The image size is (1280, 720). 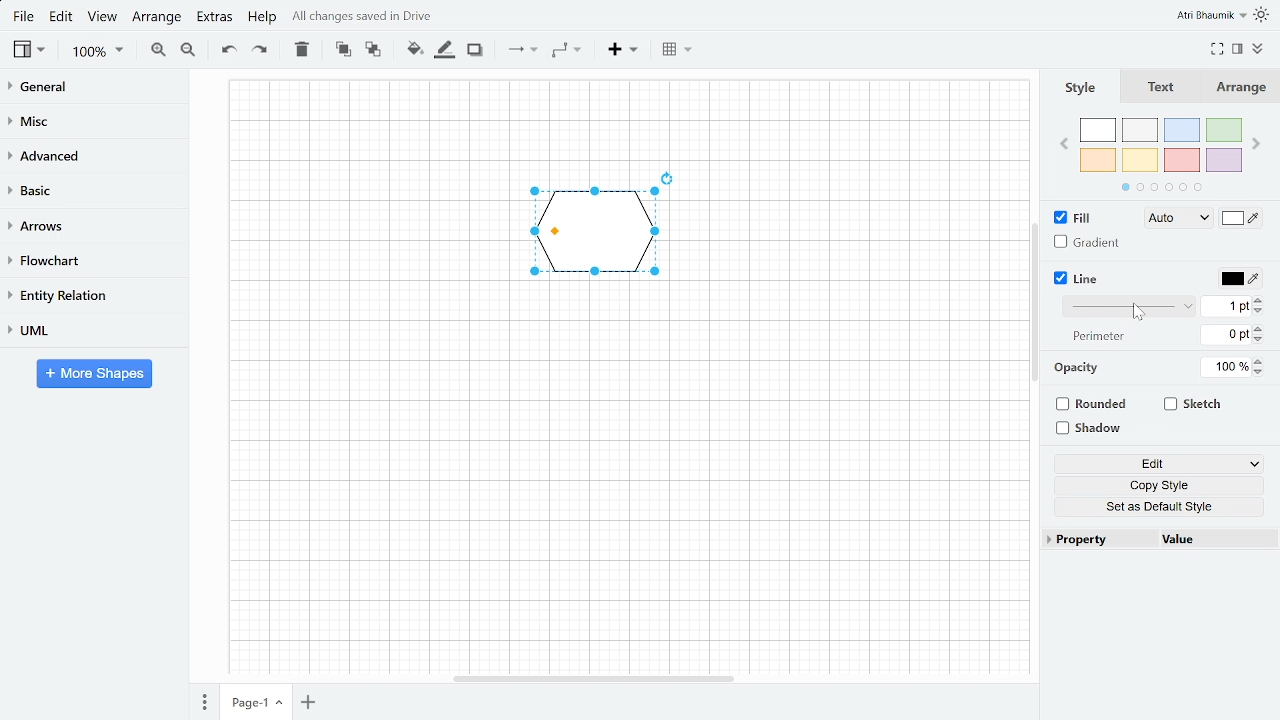 What do you see at coordinates (676, 50) in the screenshot?
I see `Table` at bounding box center [676, 50].